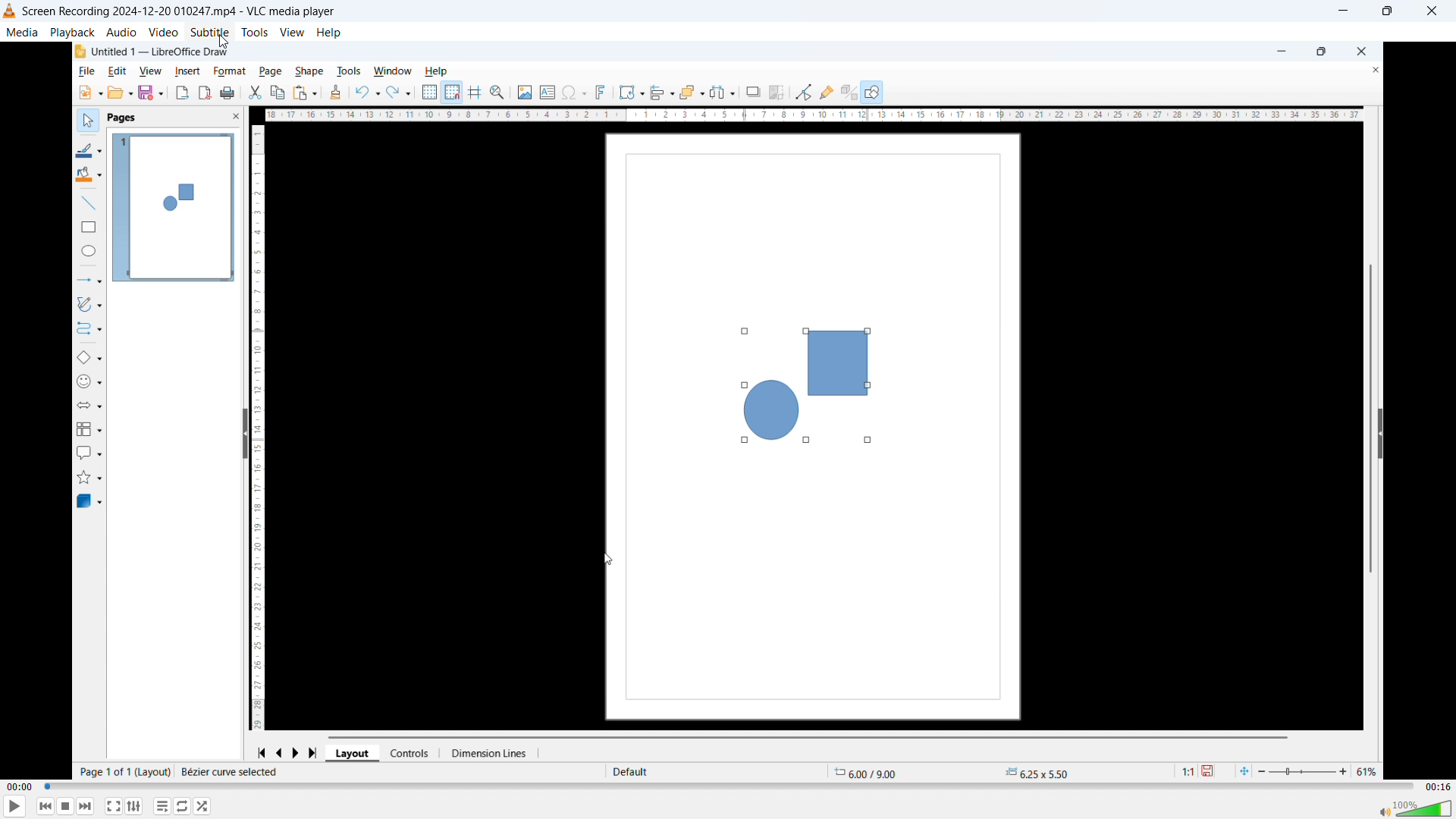 The height and width of the screenshot is (819, 1456). What do you see at coordinates (45, 806) in the screenshot?
I see `Backward or previous media ` at bounding box center [45, 806].